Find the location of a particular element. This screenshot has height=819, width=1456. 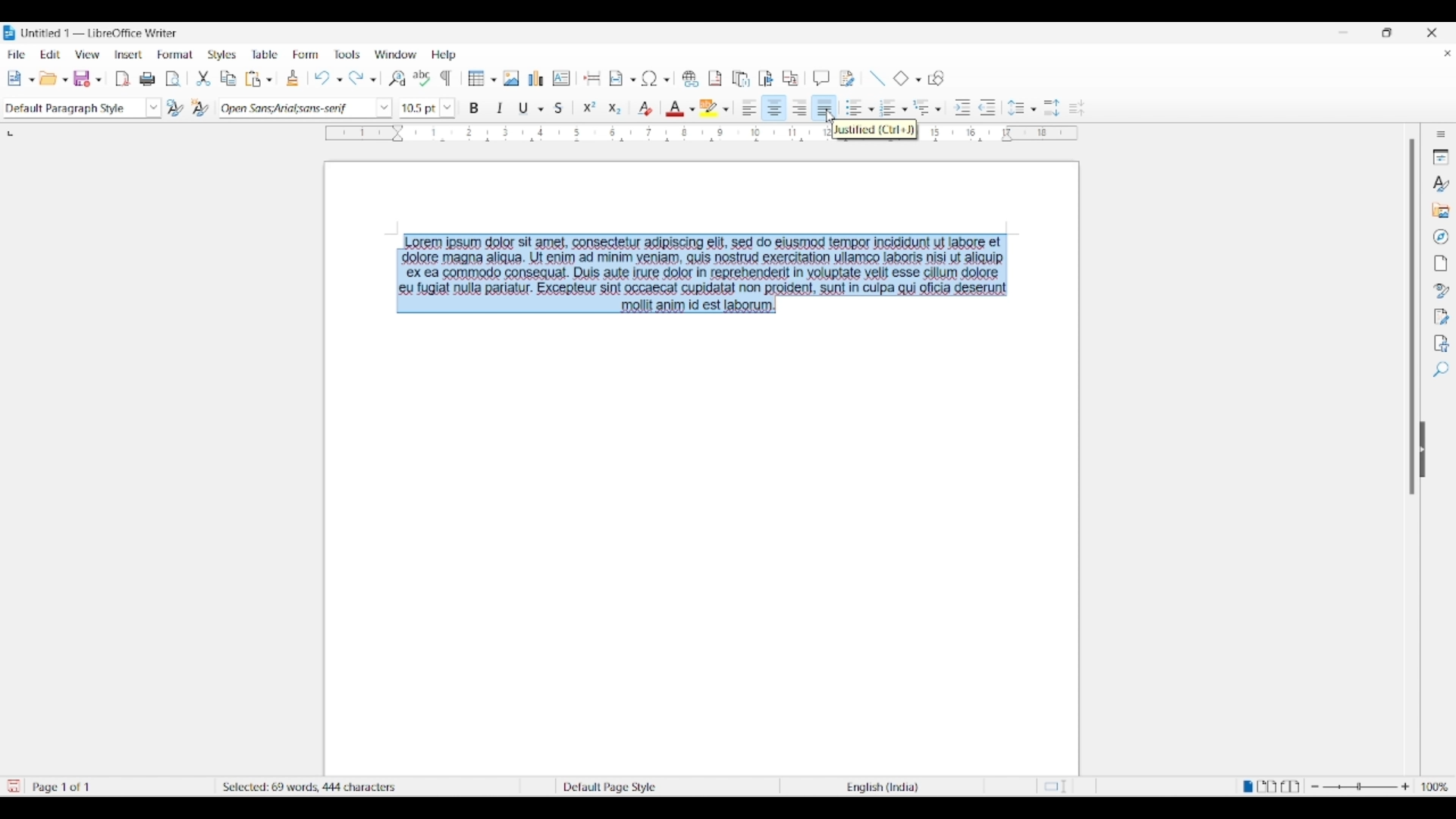

Toggle unordered list options is located at coordinates (870, 110).